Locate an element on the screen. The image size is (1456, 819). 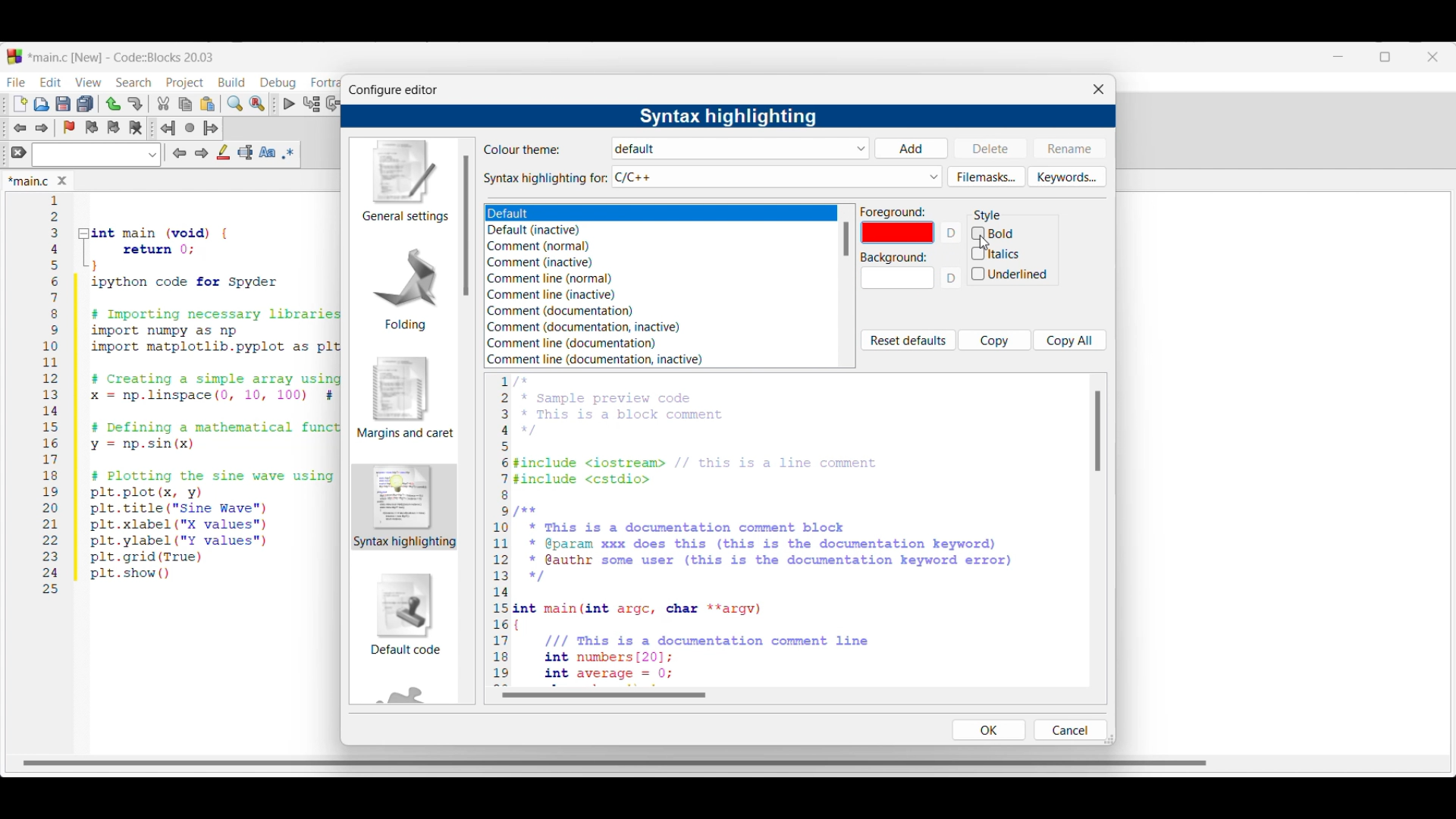
New file is located at coordinates (20, 104).